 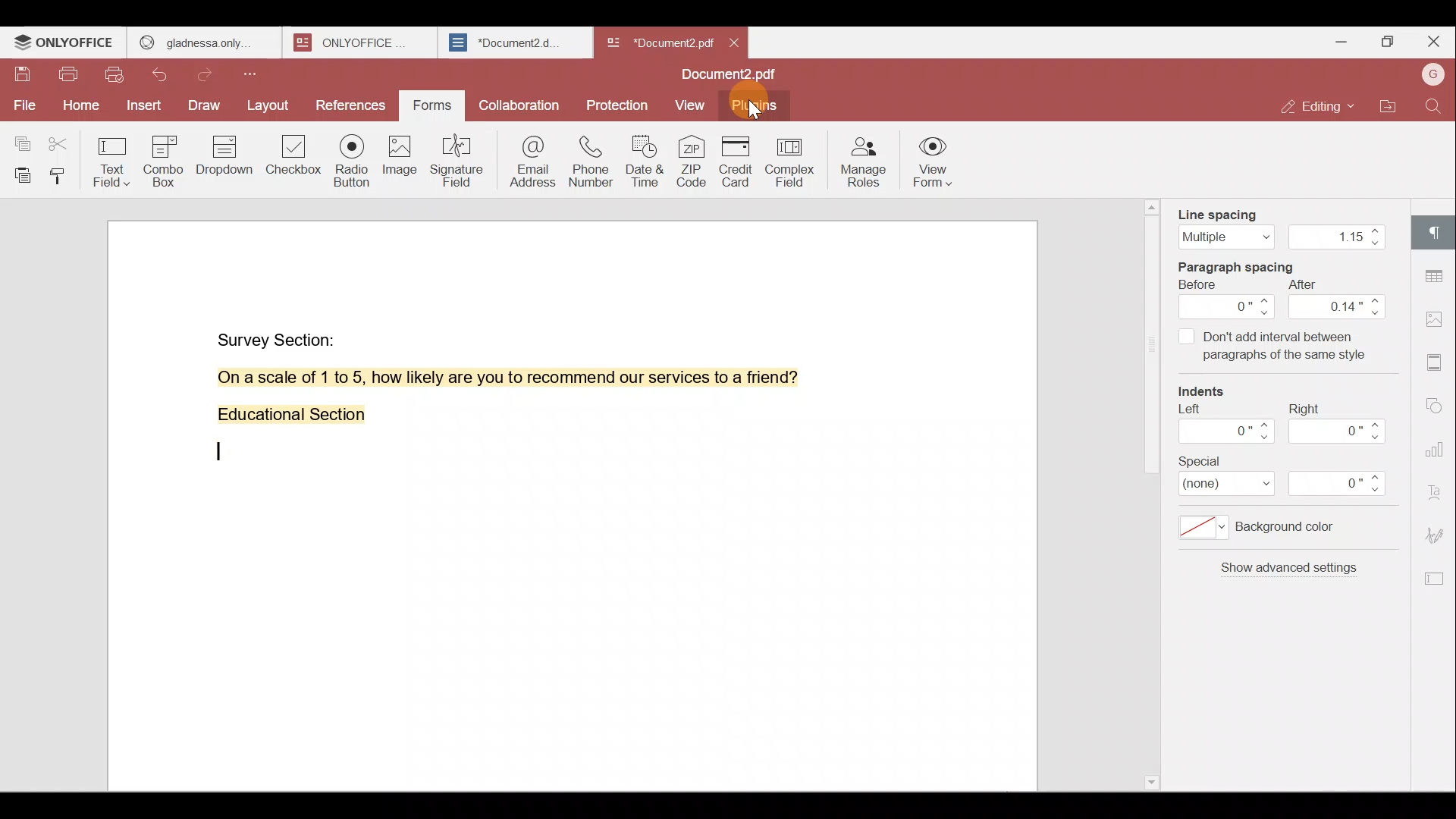 What do you see at coordinates (690, 106) in the screenshot?
I see `View` at bounding box center [690, 106].